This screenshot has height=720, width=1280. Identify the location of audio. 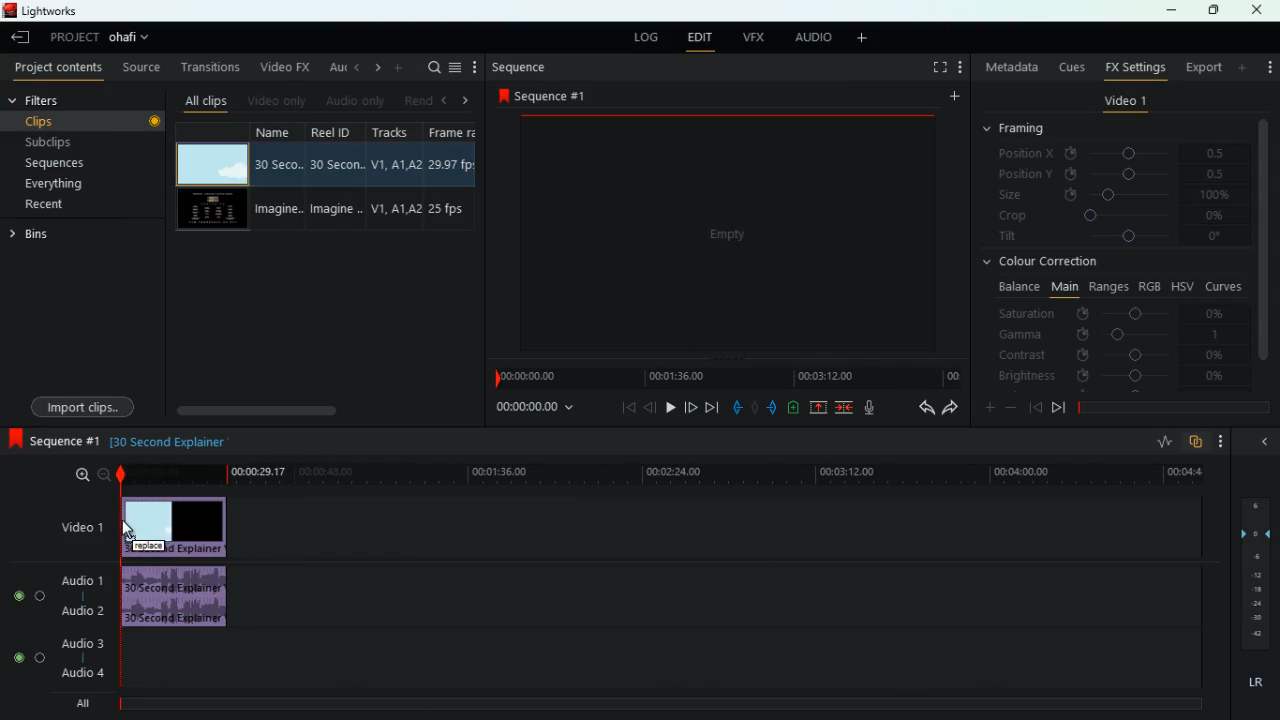
(813, 38).